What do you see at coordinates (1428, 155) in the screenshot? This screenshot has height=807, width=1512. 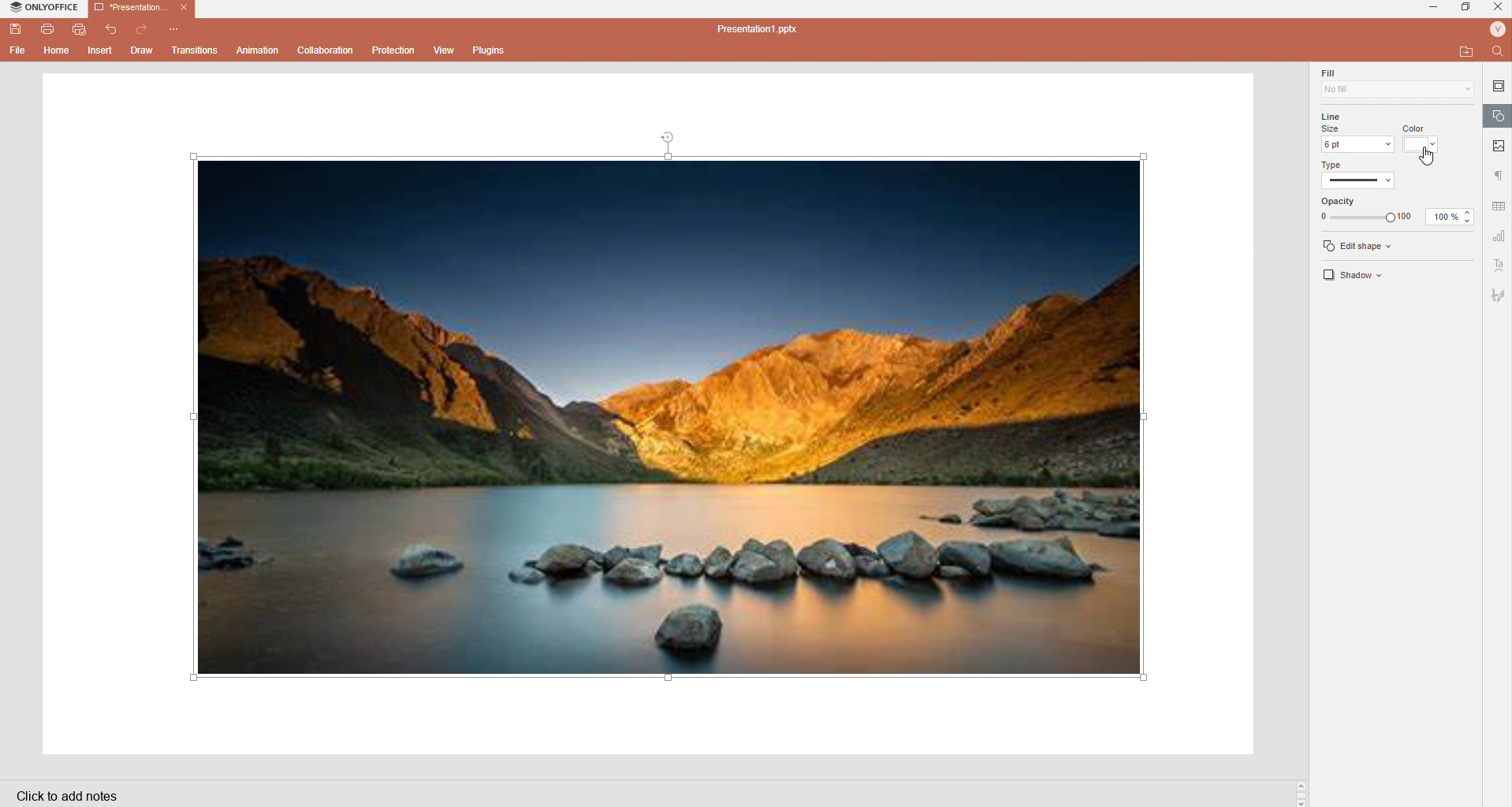 I see `Cursor` at bounding box center [1428, 155].